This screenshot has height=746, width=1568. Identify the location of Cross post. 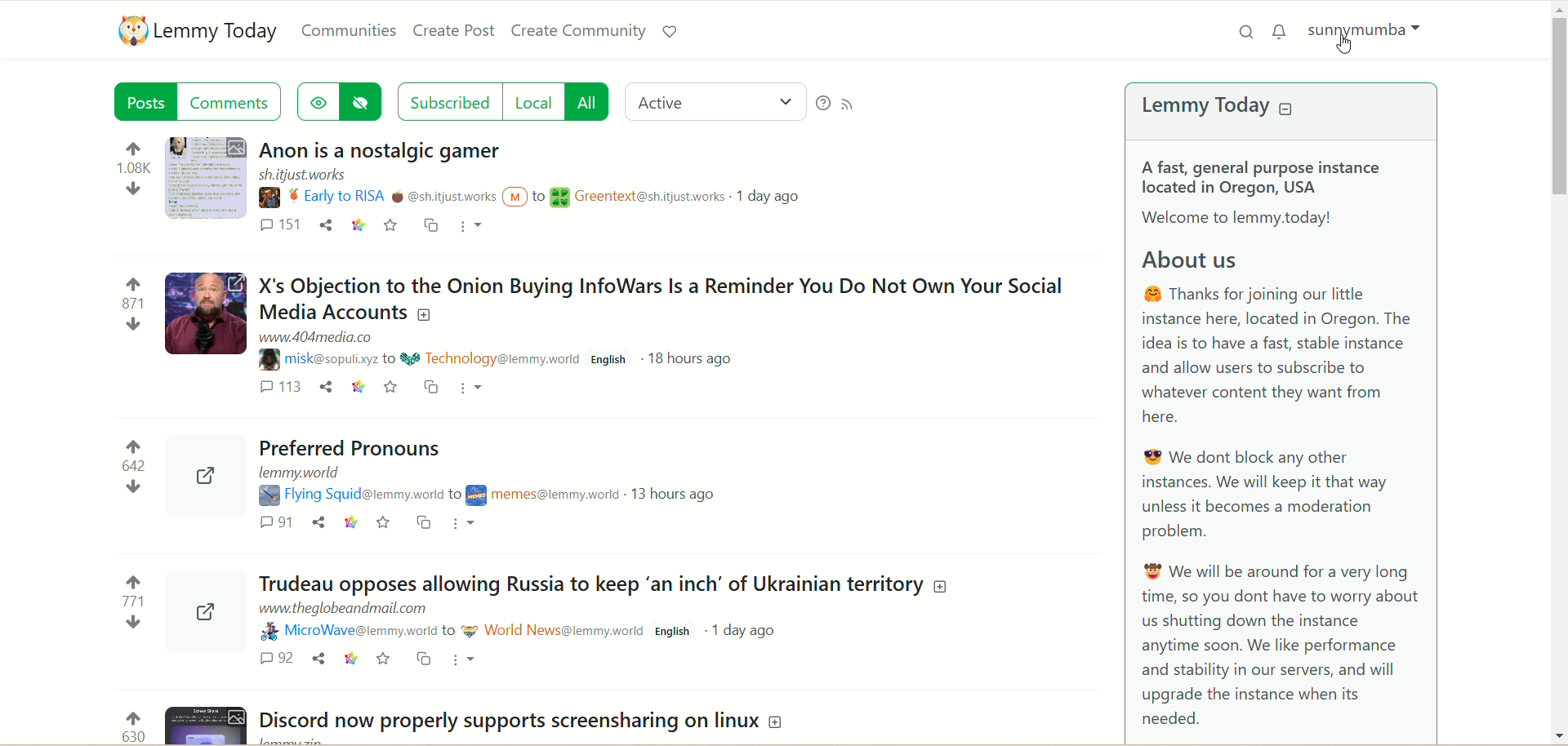
(434, 386).